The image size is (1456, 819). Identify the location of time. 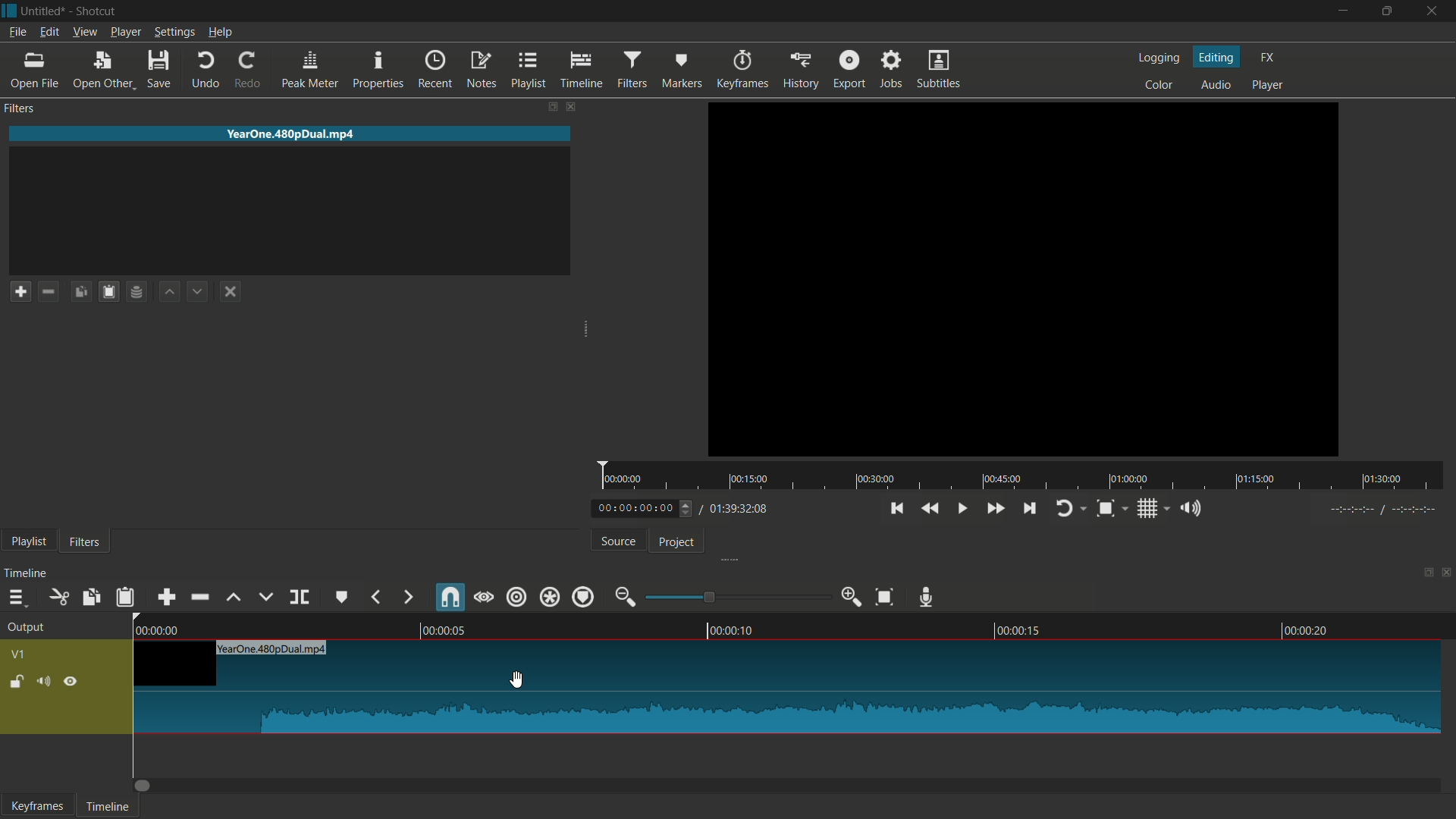
(1382, 508).